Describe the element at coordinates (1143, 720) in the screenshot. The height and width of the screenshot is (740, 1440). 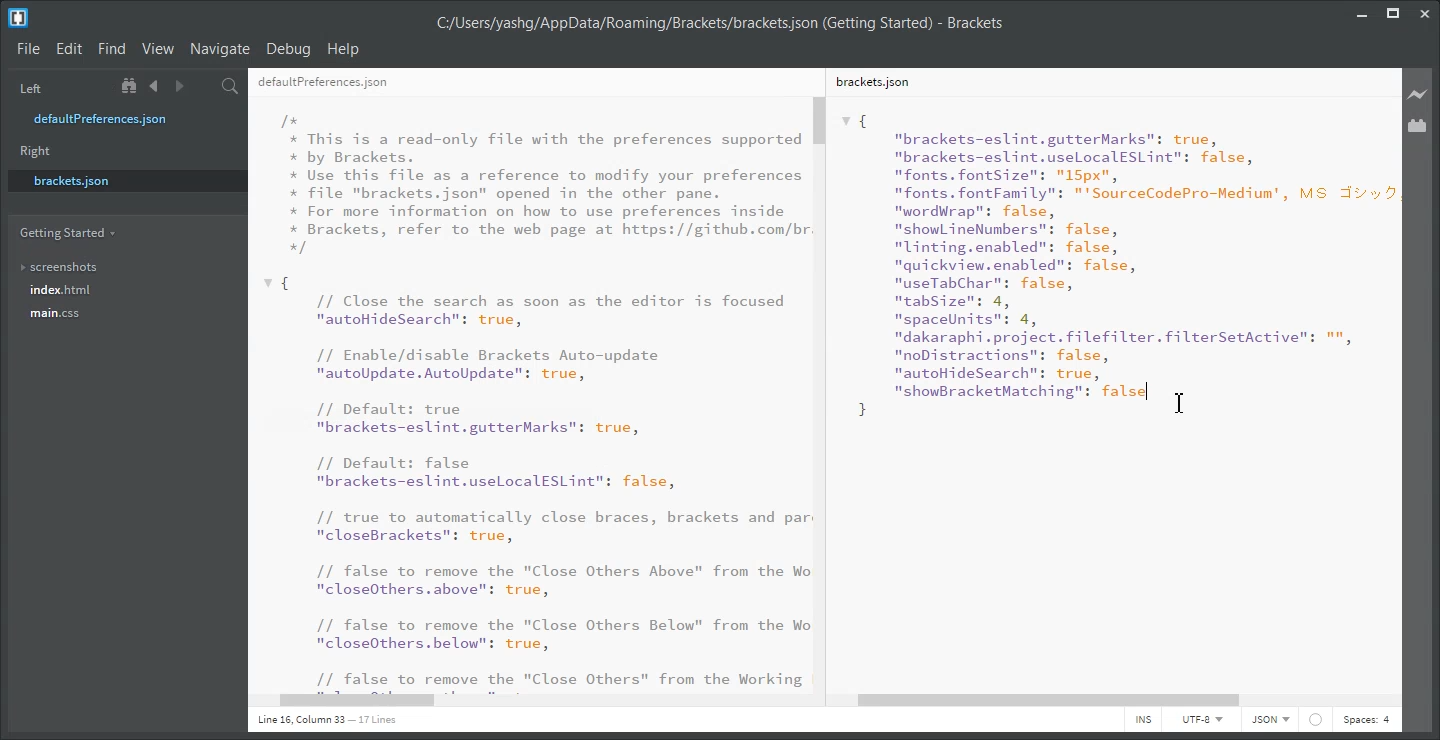
I see `INS` at that location.